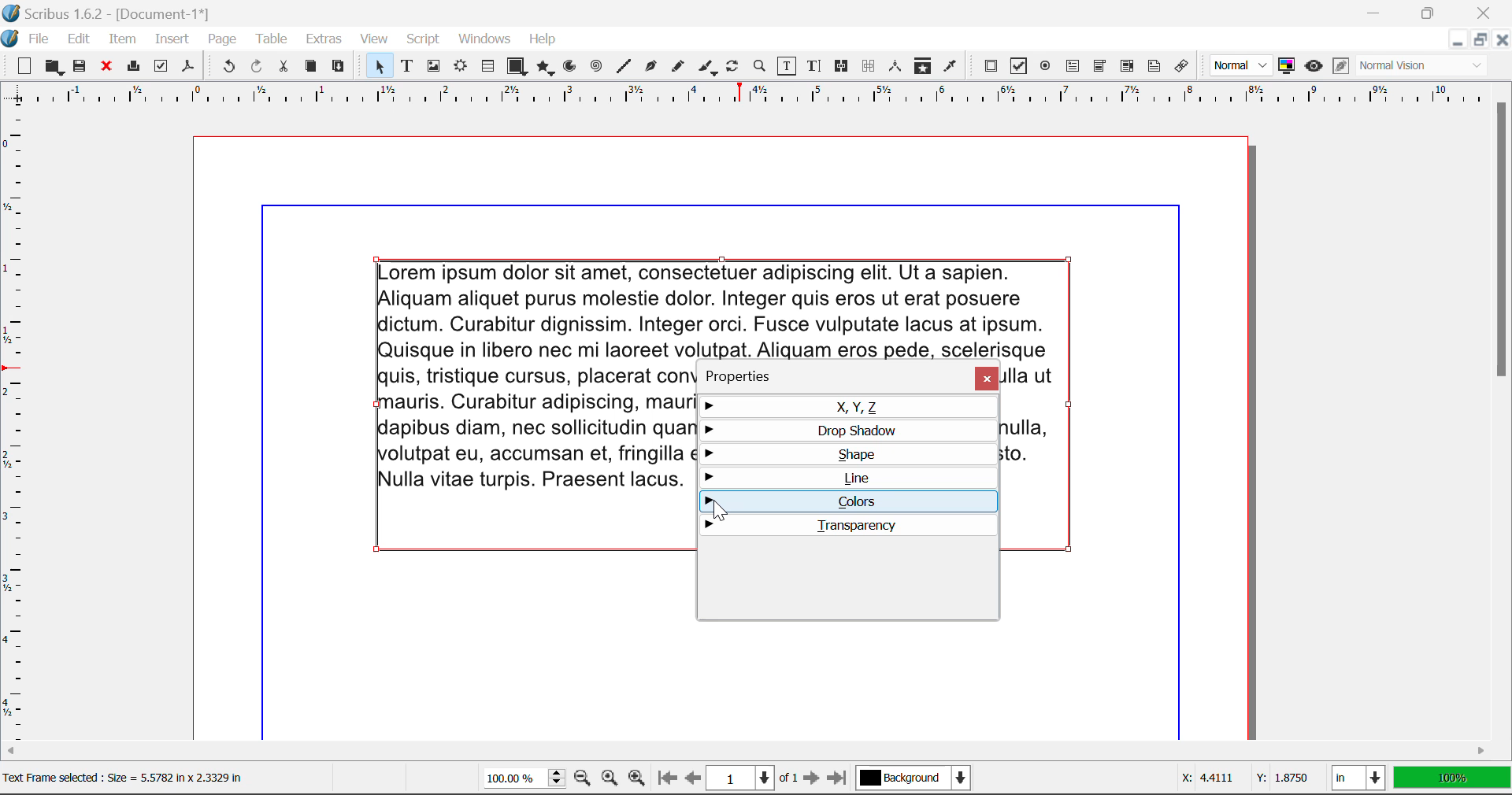 The width and height of the screenshot is (1512, 795). I want to click on Script, so click(424, 39).